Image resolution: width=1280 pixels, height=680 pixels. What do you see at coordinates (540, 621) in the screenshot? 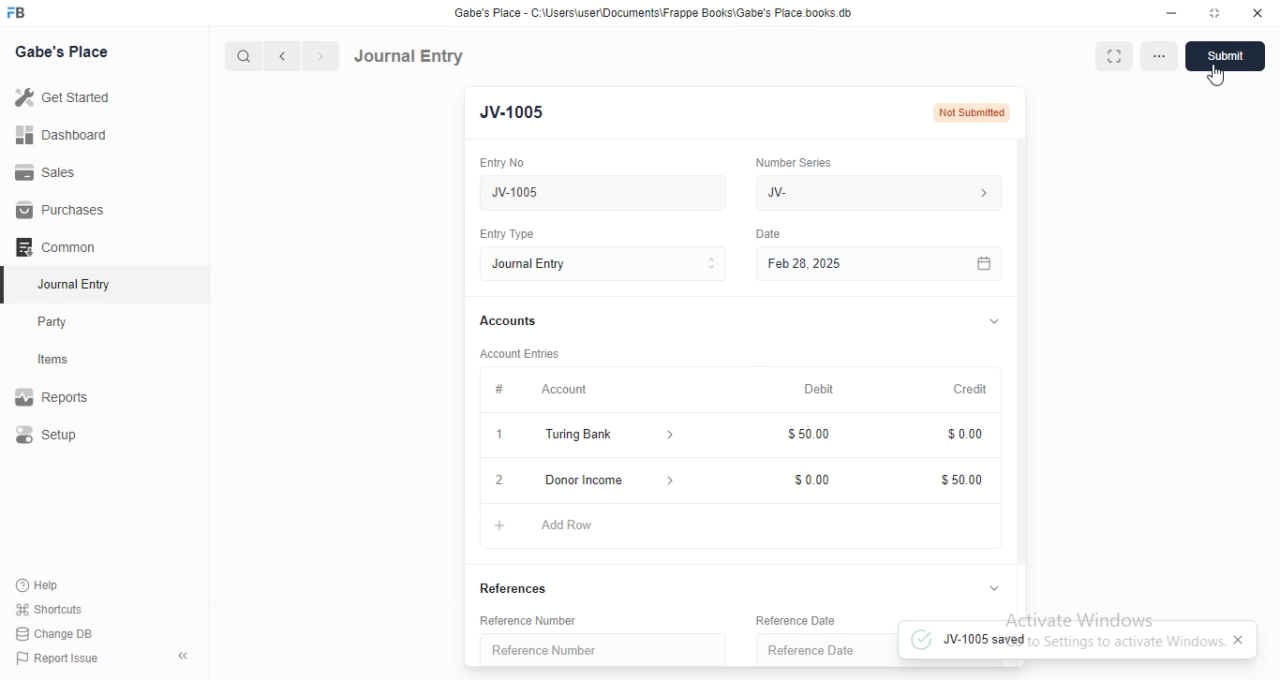
I see `Reference Number` at bounding box center [540, 621].